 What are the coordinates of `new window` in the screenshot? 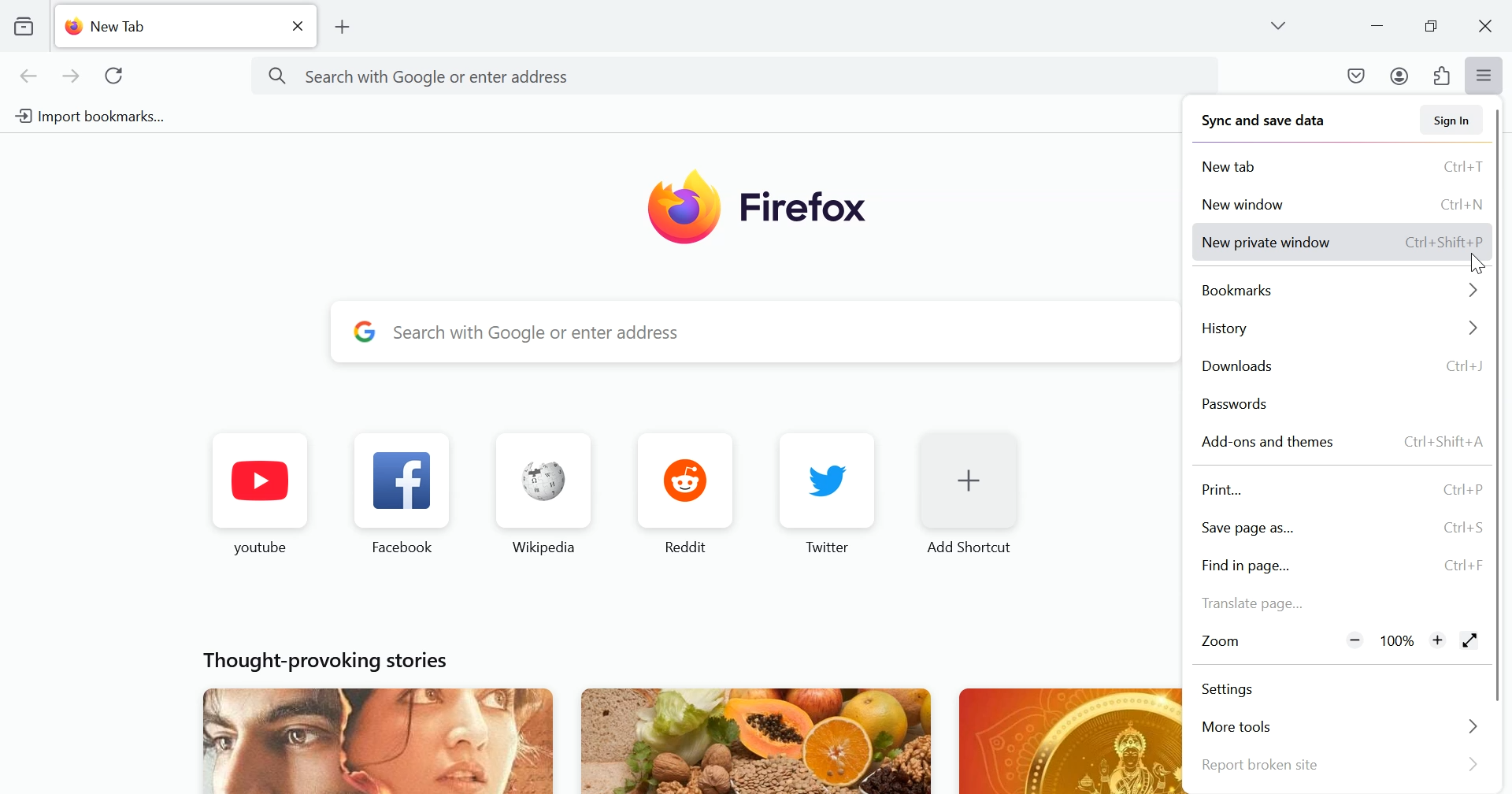 It's located at (1342, 202).